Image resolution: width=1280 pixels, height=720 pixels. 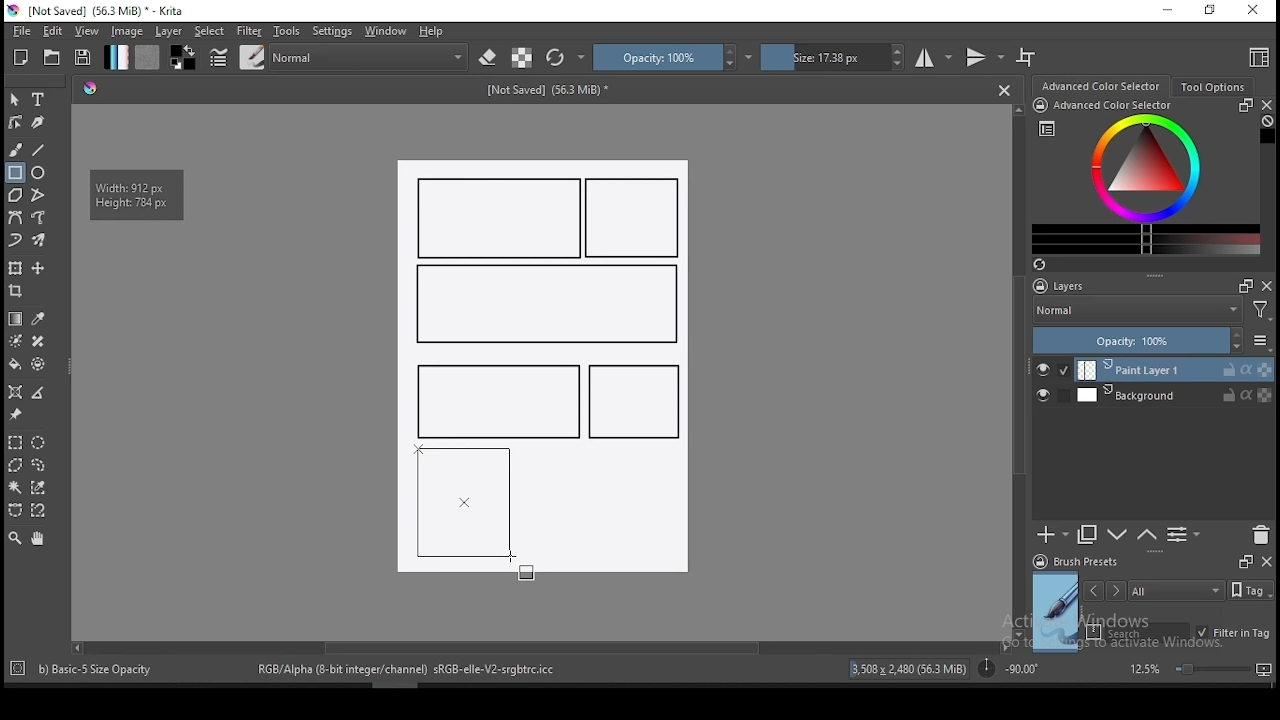 What do you see at coordinates (39, 150) in the screenshot?
I see `line tool` at bounding box center [39, 150].